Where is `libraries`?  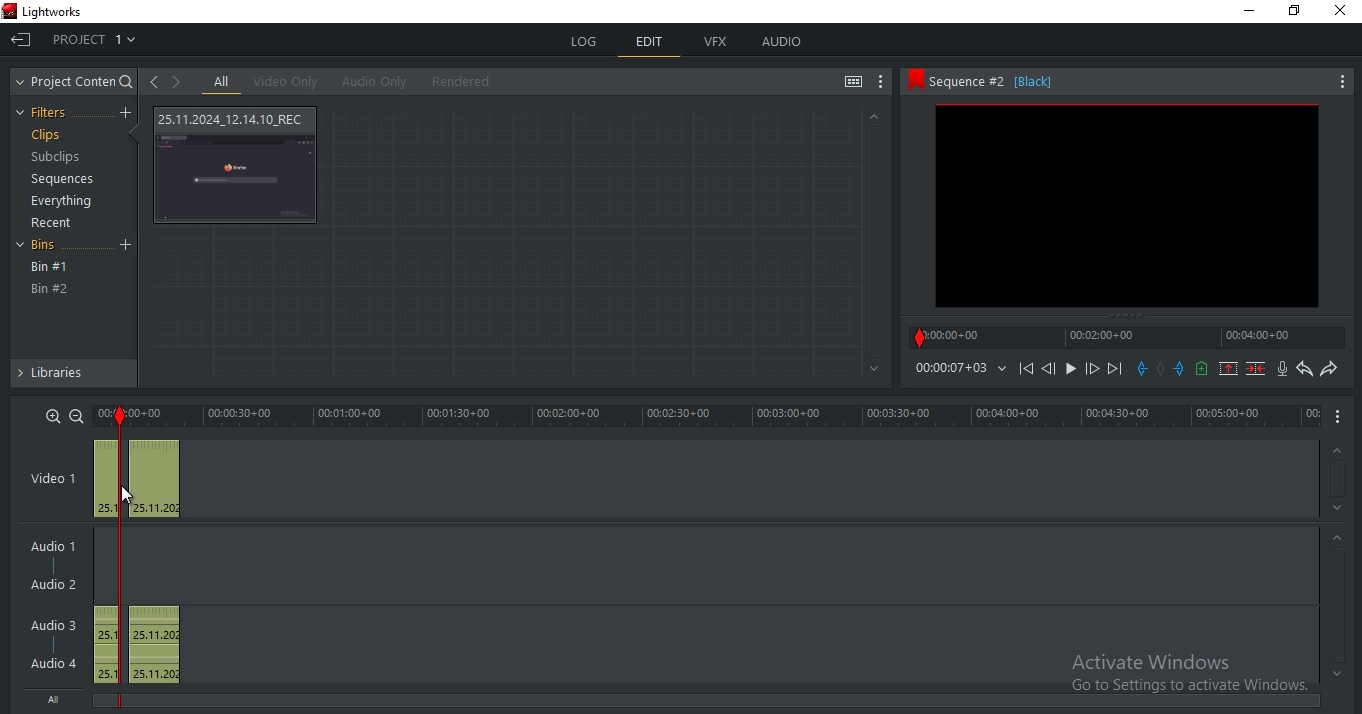
libraries is located at coordinates (72, 377).